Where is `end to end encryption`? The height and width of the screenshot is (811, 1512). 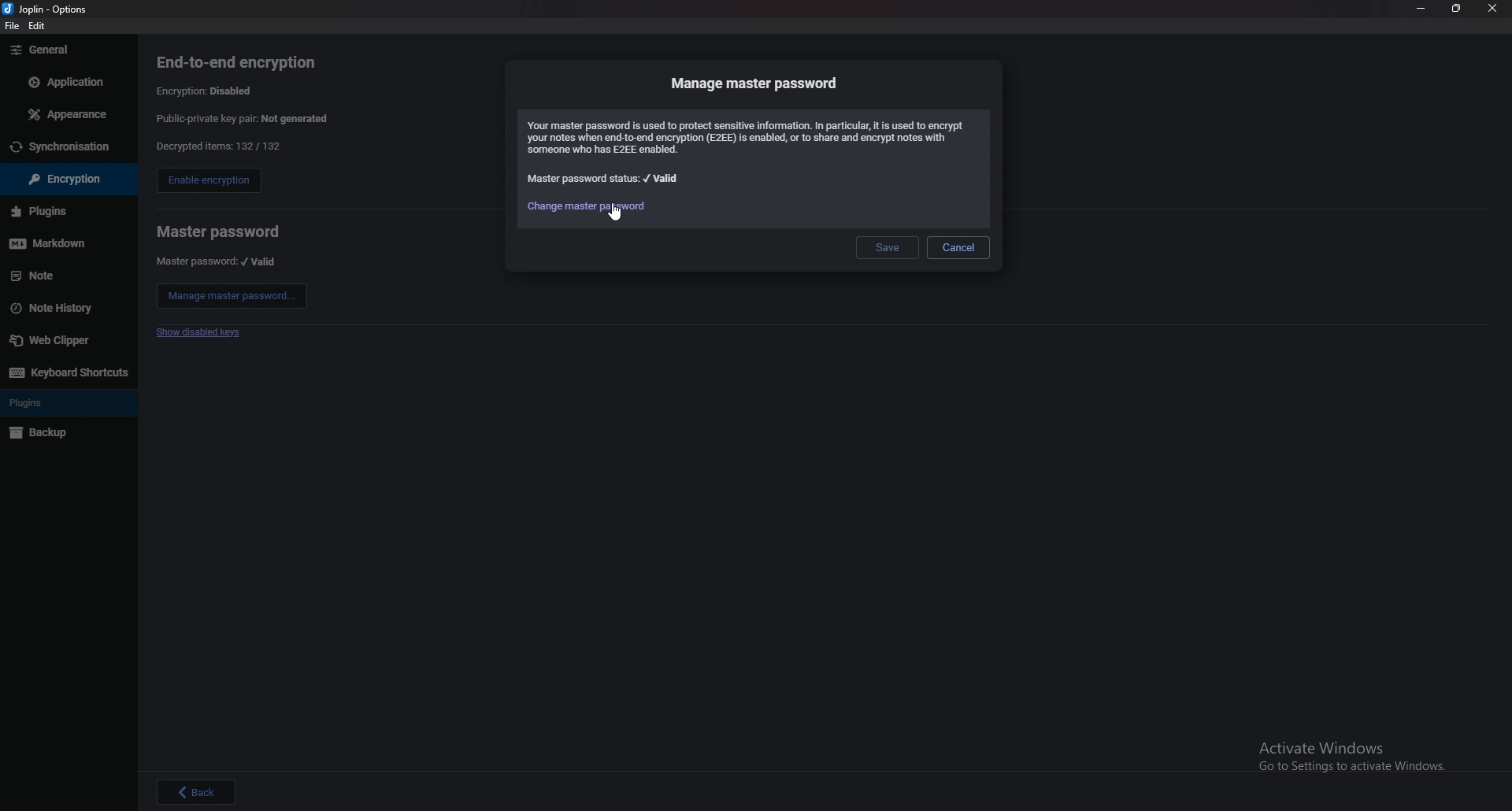
end to end encryption is located at coordinates (248, 62).